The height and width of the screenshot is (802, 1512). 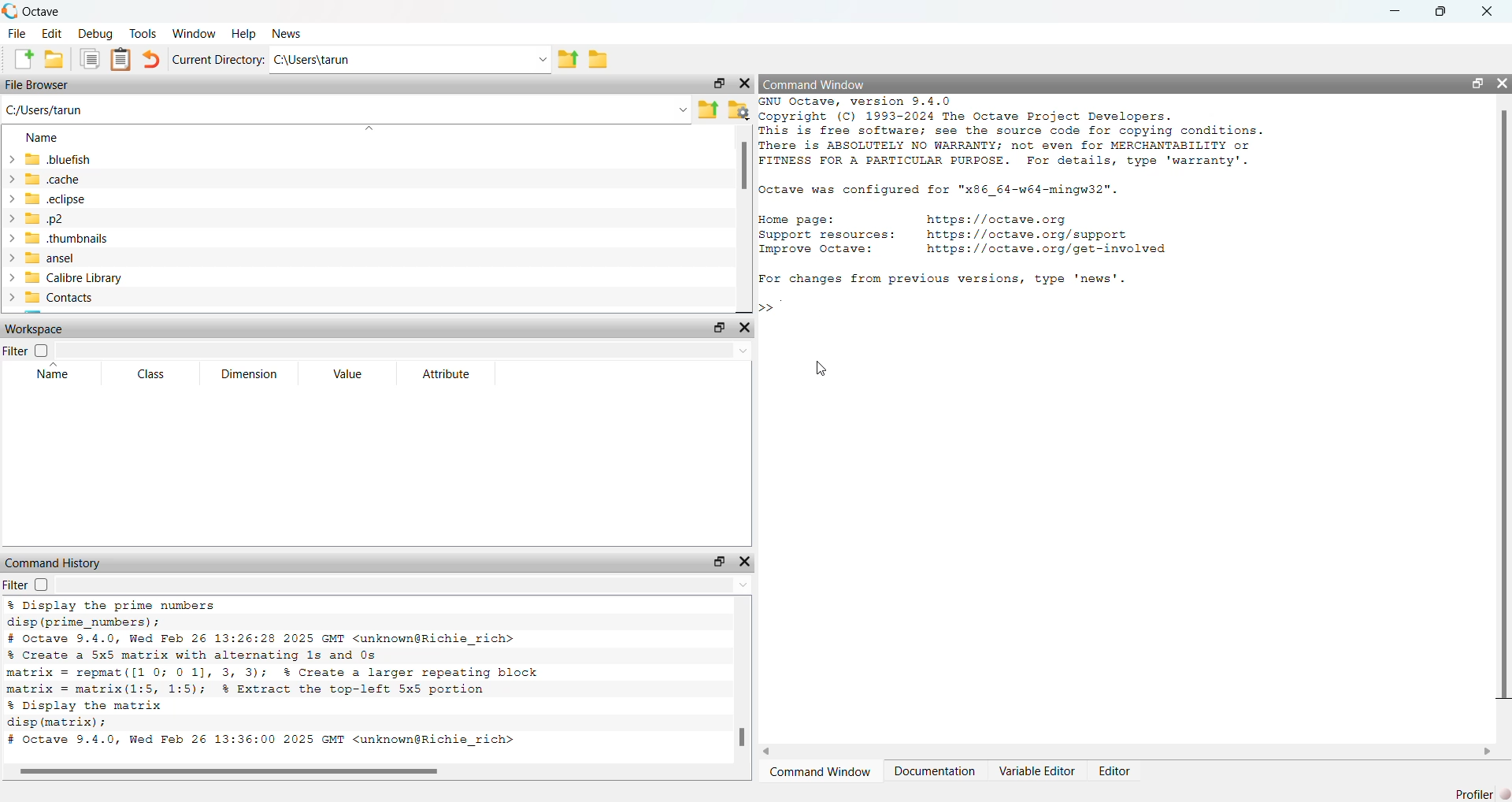 I want to click on edit, so click(x=50, y=35).